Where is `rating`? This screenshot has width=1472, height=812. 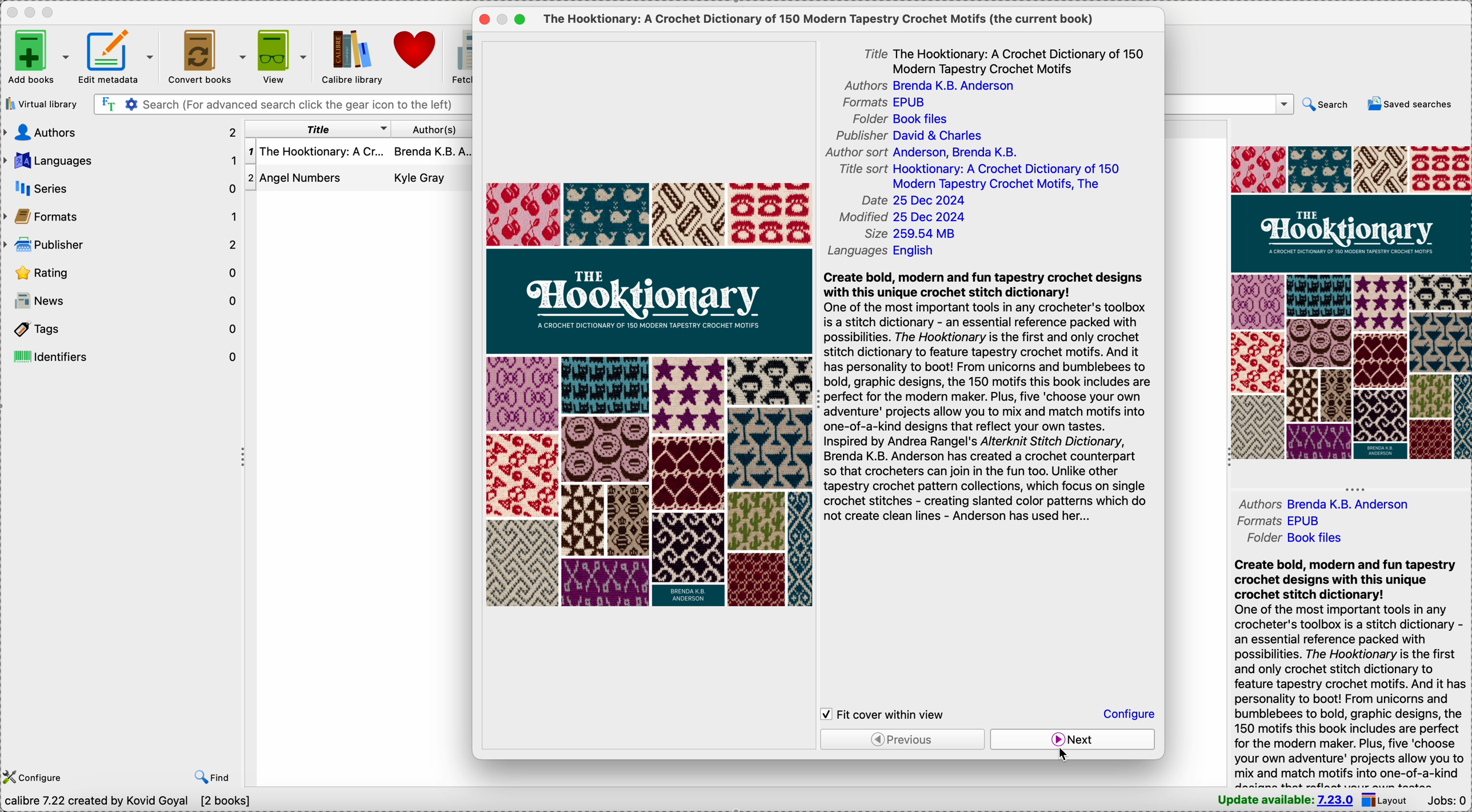
rating is located at coordinates (122, 271).